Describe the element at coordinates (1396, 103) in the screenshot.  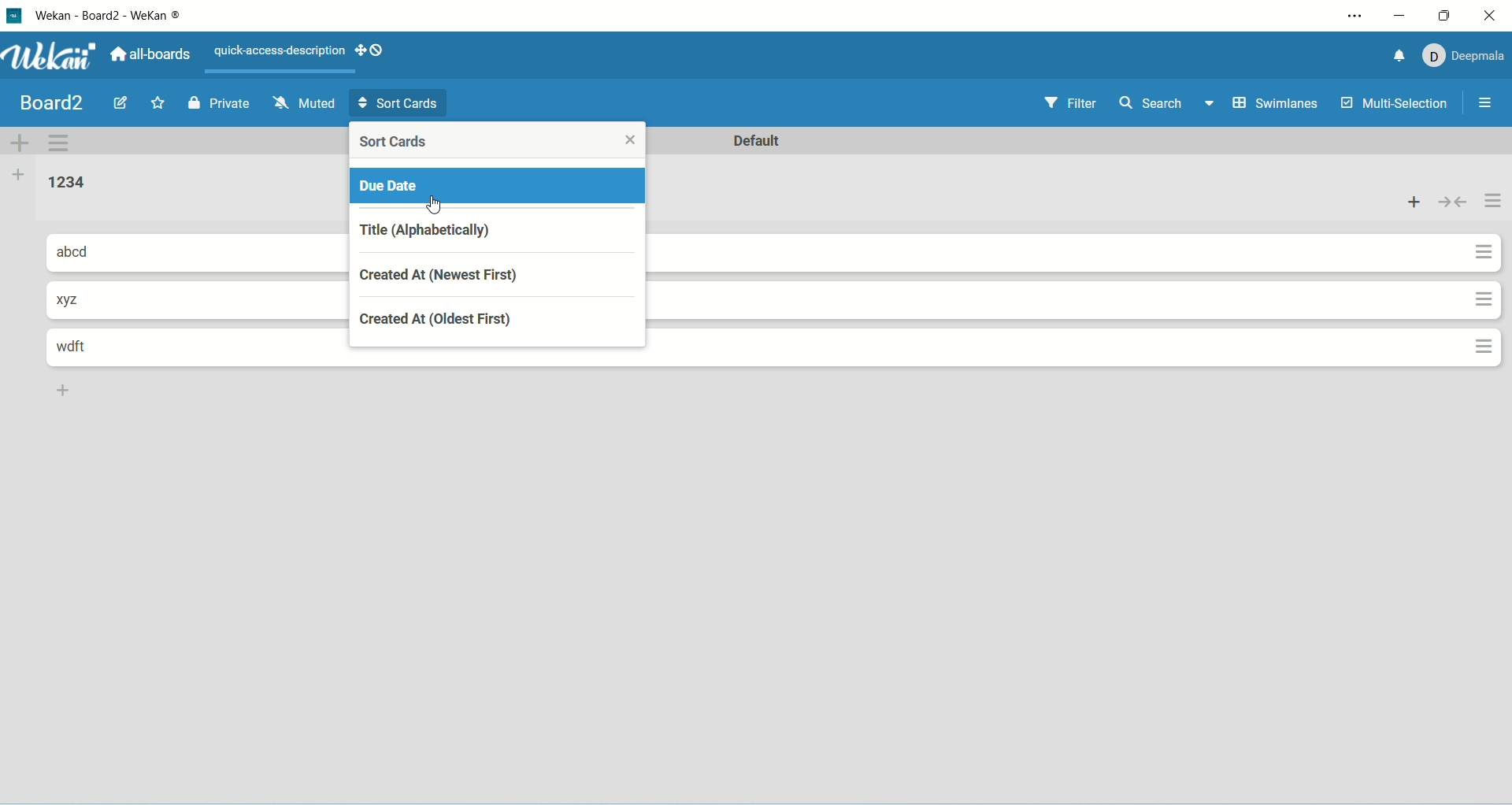
I see `multi-selection` at that location.